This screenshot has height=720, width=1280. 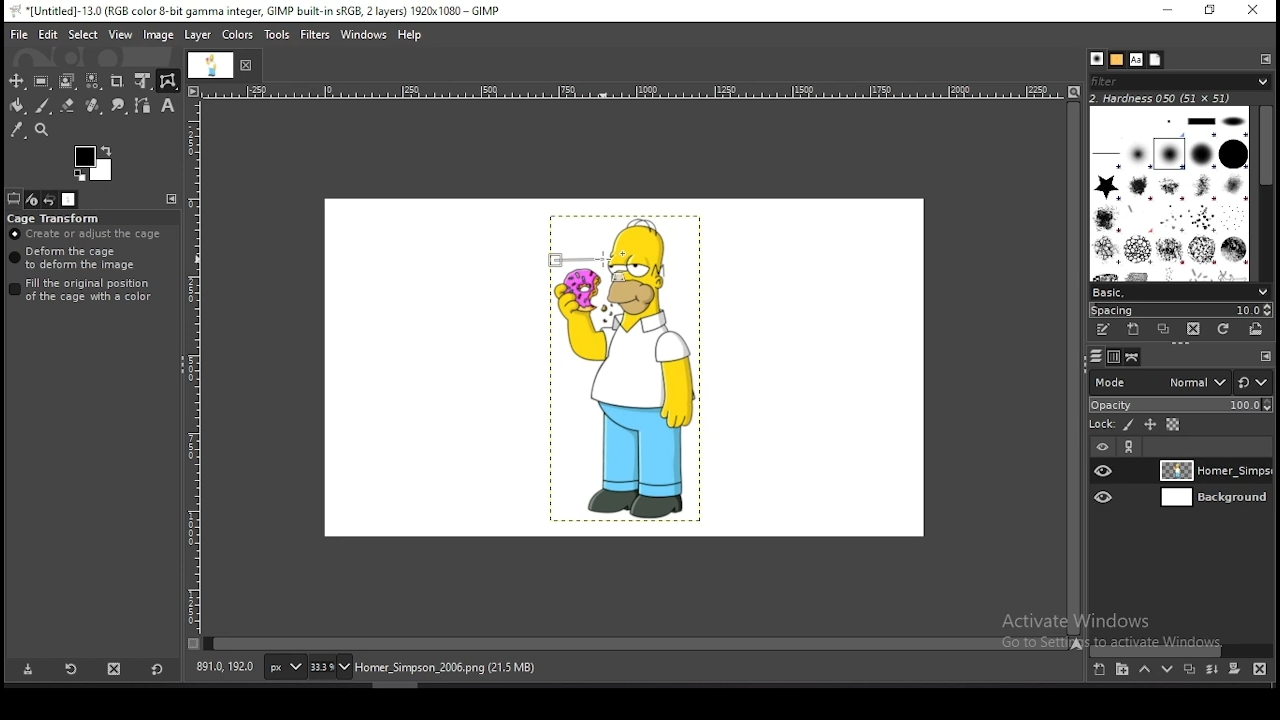 I want to click on save tool preset, so click(x=28, y=670).